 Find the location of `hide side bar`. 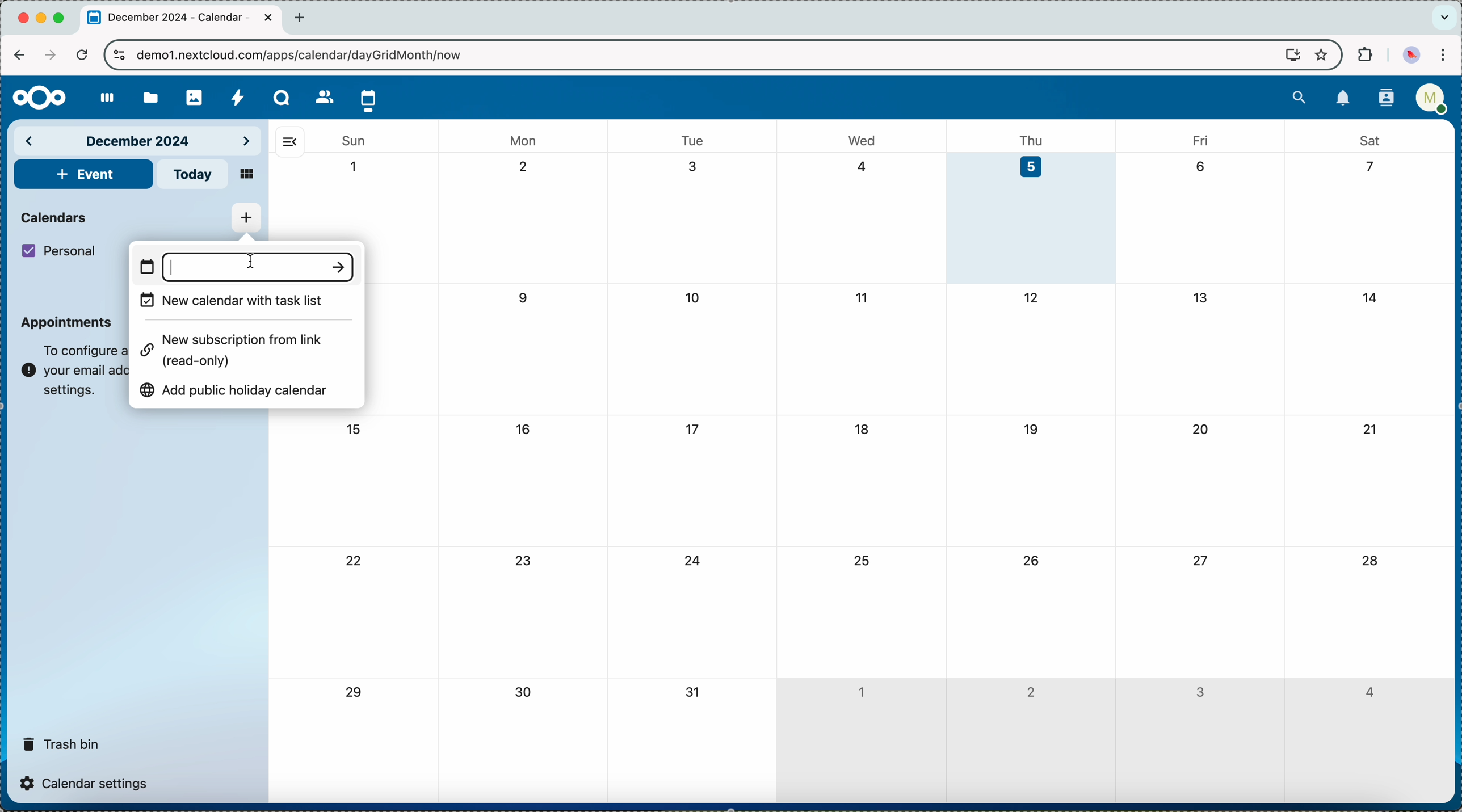

hide side bar is located at coordinates (289, 141).